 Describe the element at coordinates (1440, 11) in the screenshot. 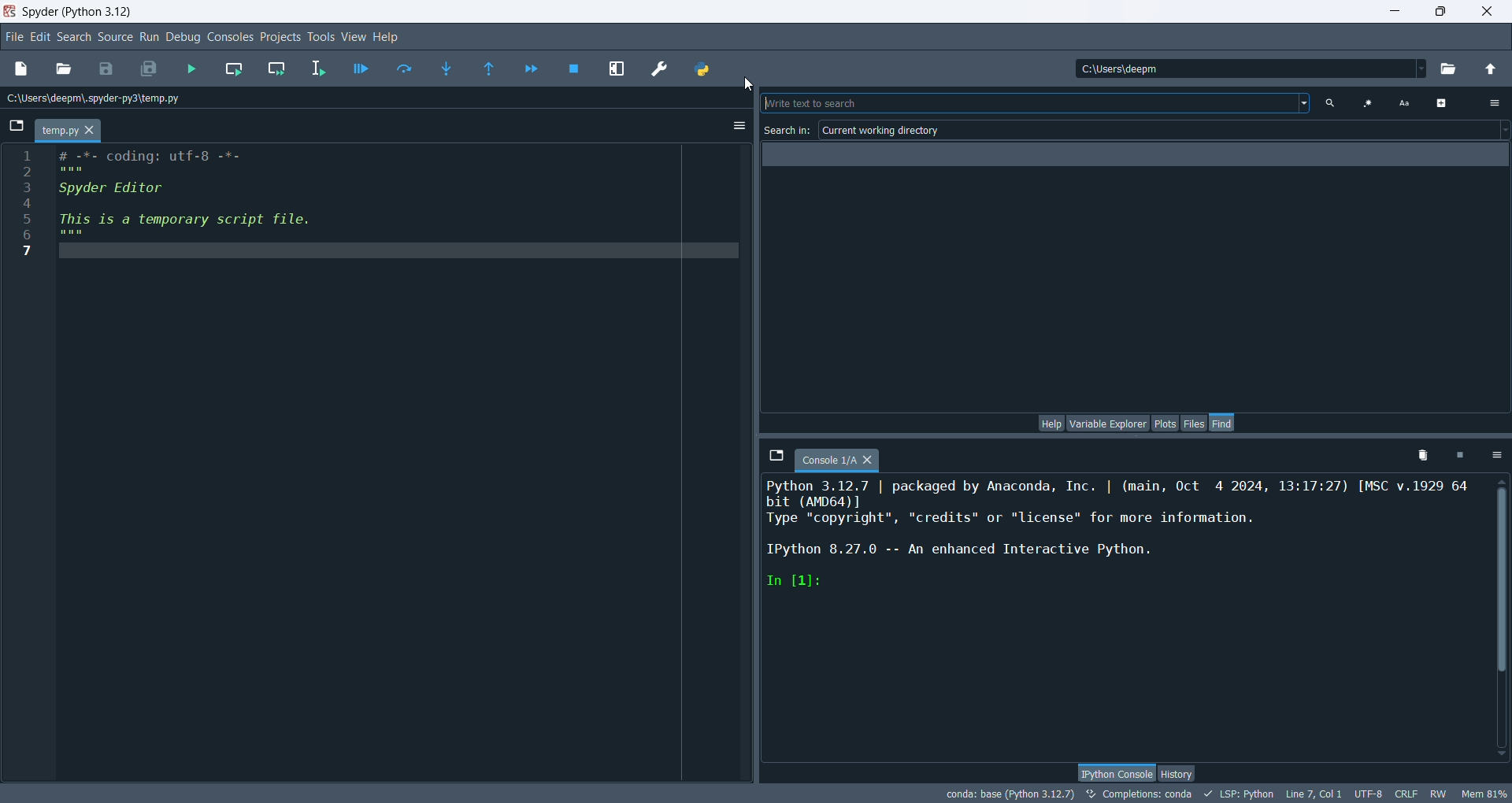

I see `maximize` at that location.